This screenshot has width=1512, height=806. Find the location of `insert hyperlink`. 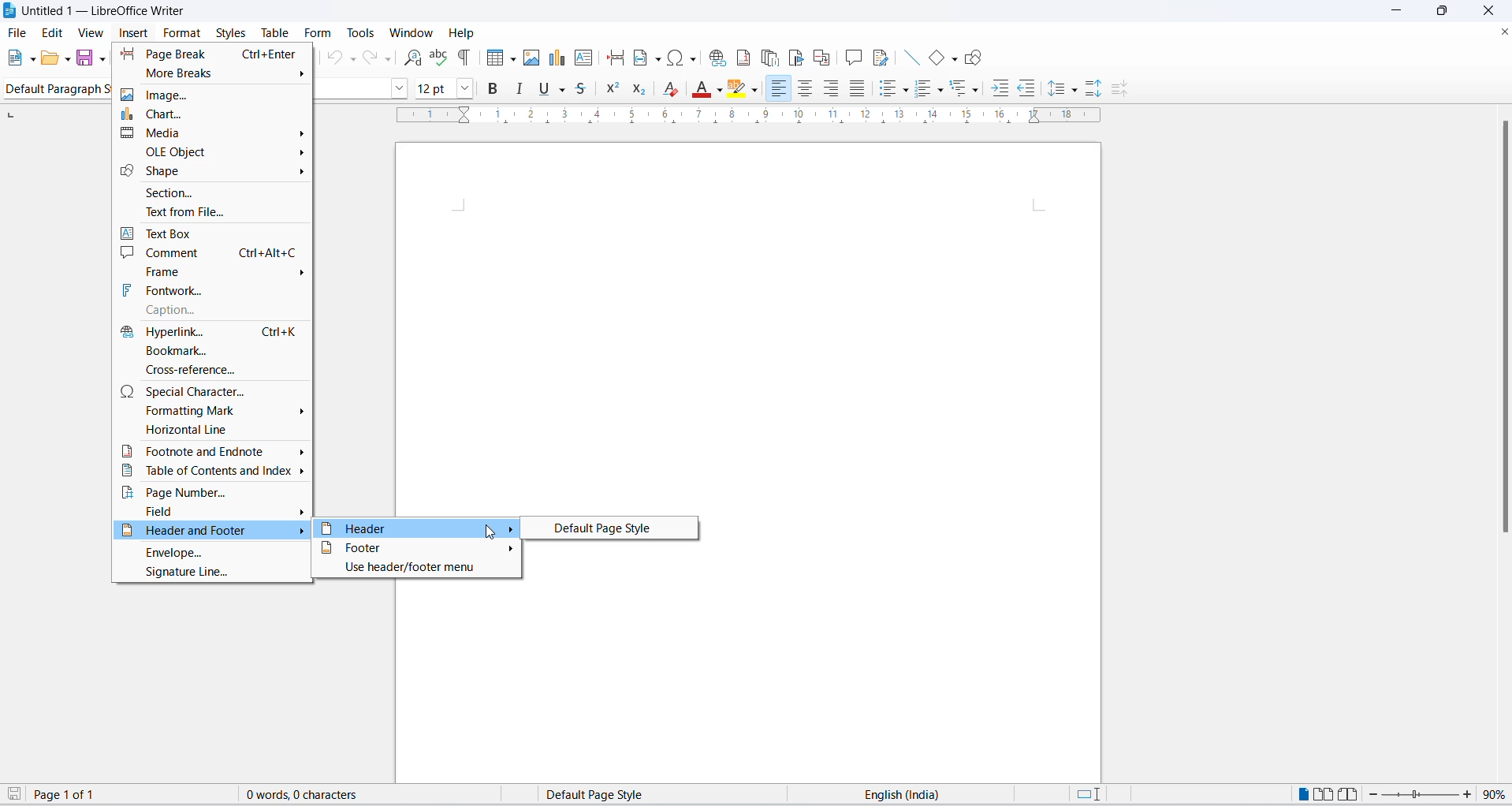

insert hyperlink is located at coordinates (716, 59).